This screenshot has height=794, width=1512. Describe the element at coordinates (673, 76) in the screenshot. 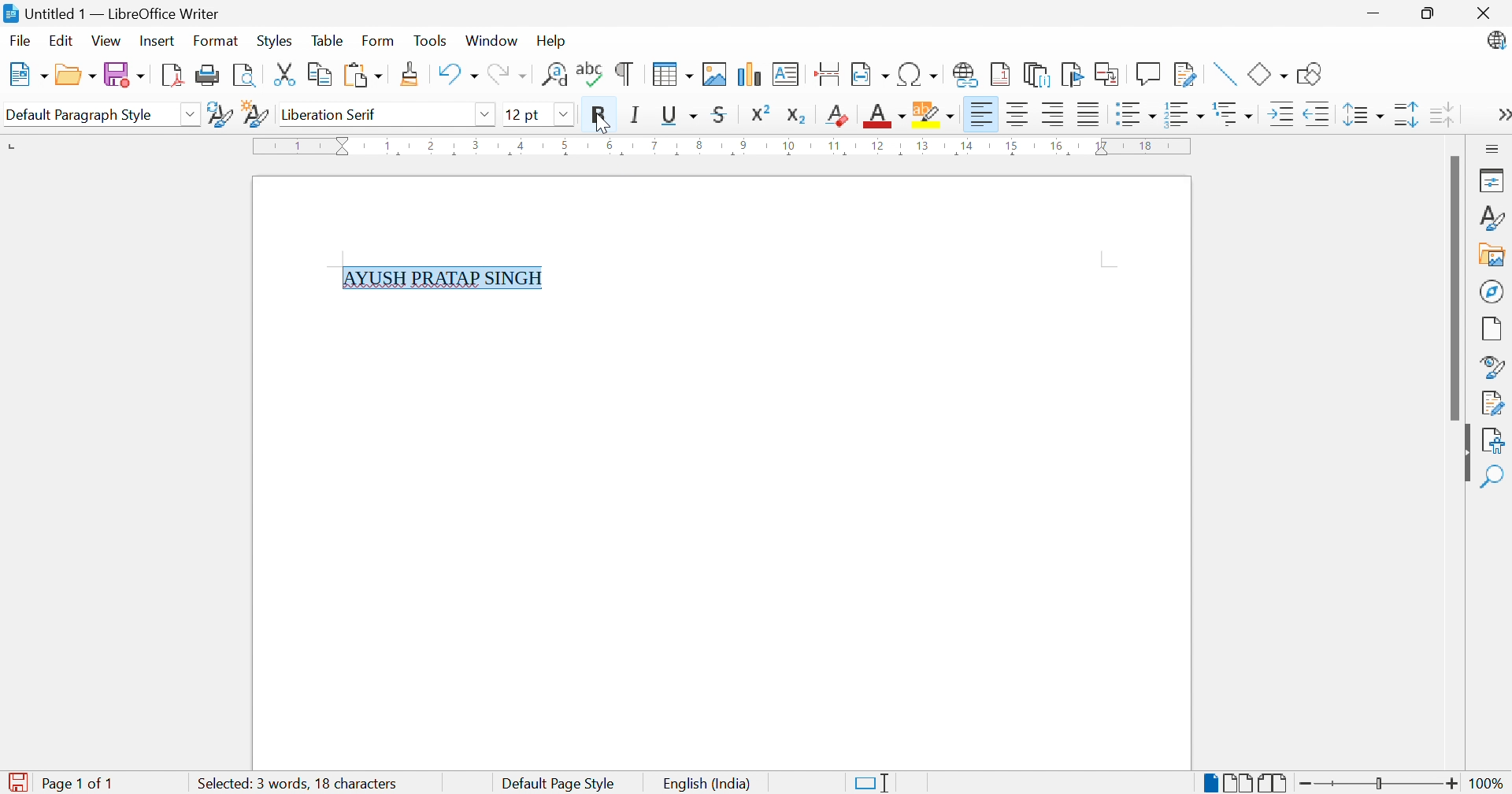

I see `Insert Table` at that location.